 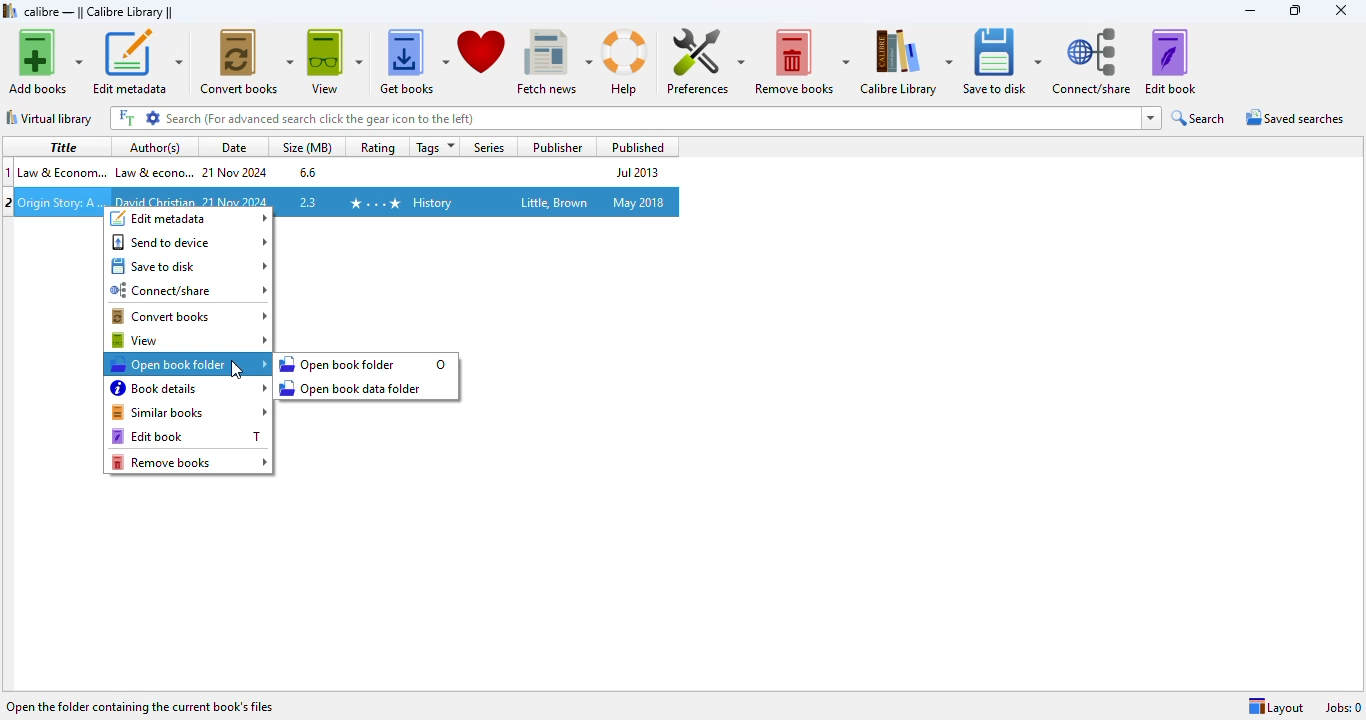 I want to click on 2.3, so click(x=307, y=202).